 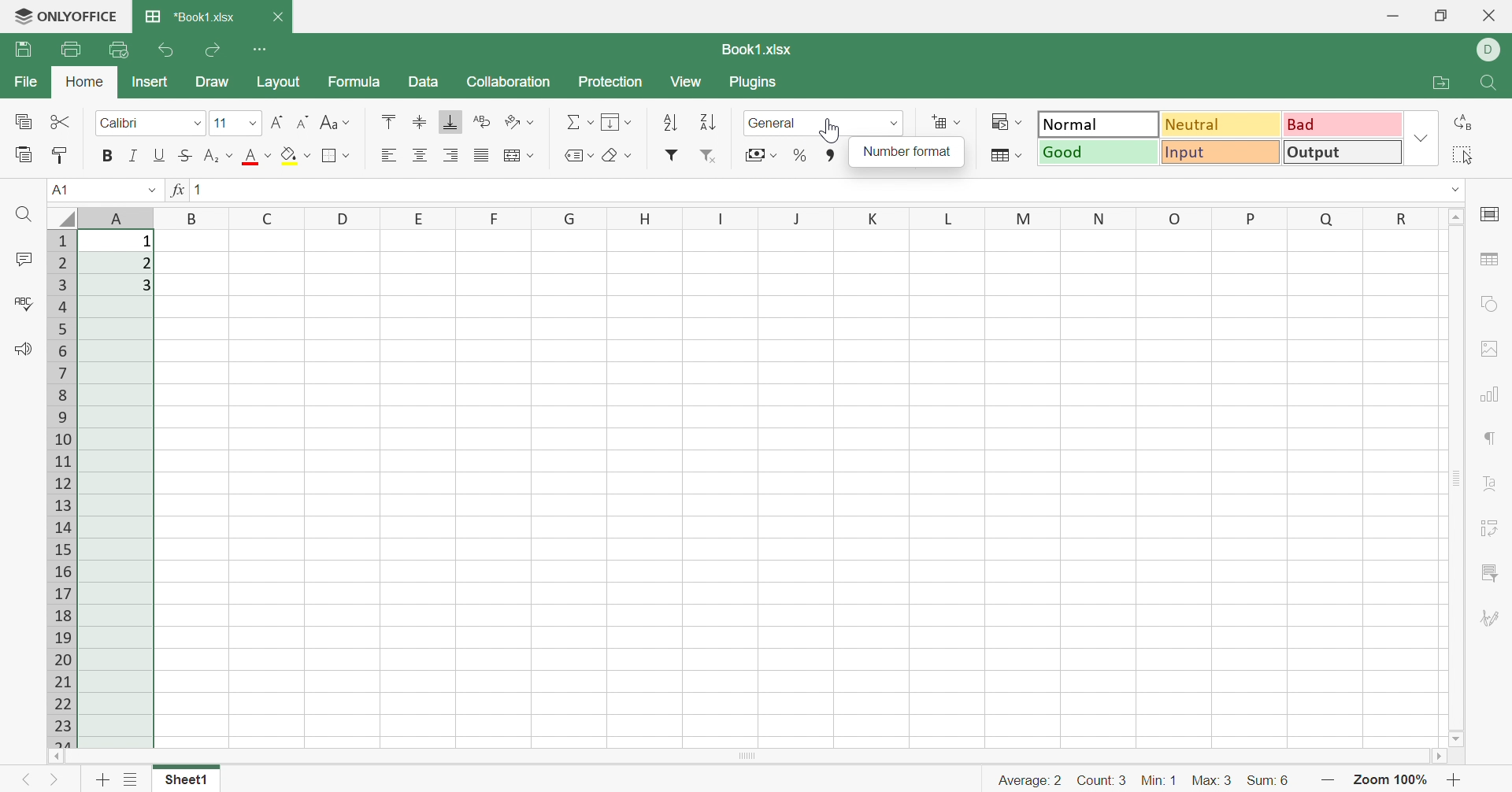 What do you see at coordinates (485, 121) in the screenshot?
I see `Wrap text` at bounding box center [485, 121].